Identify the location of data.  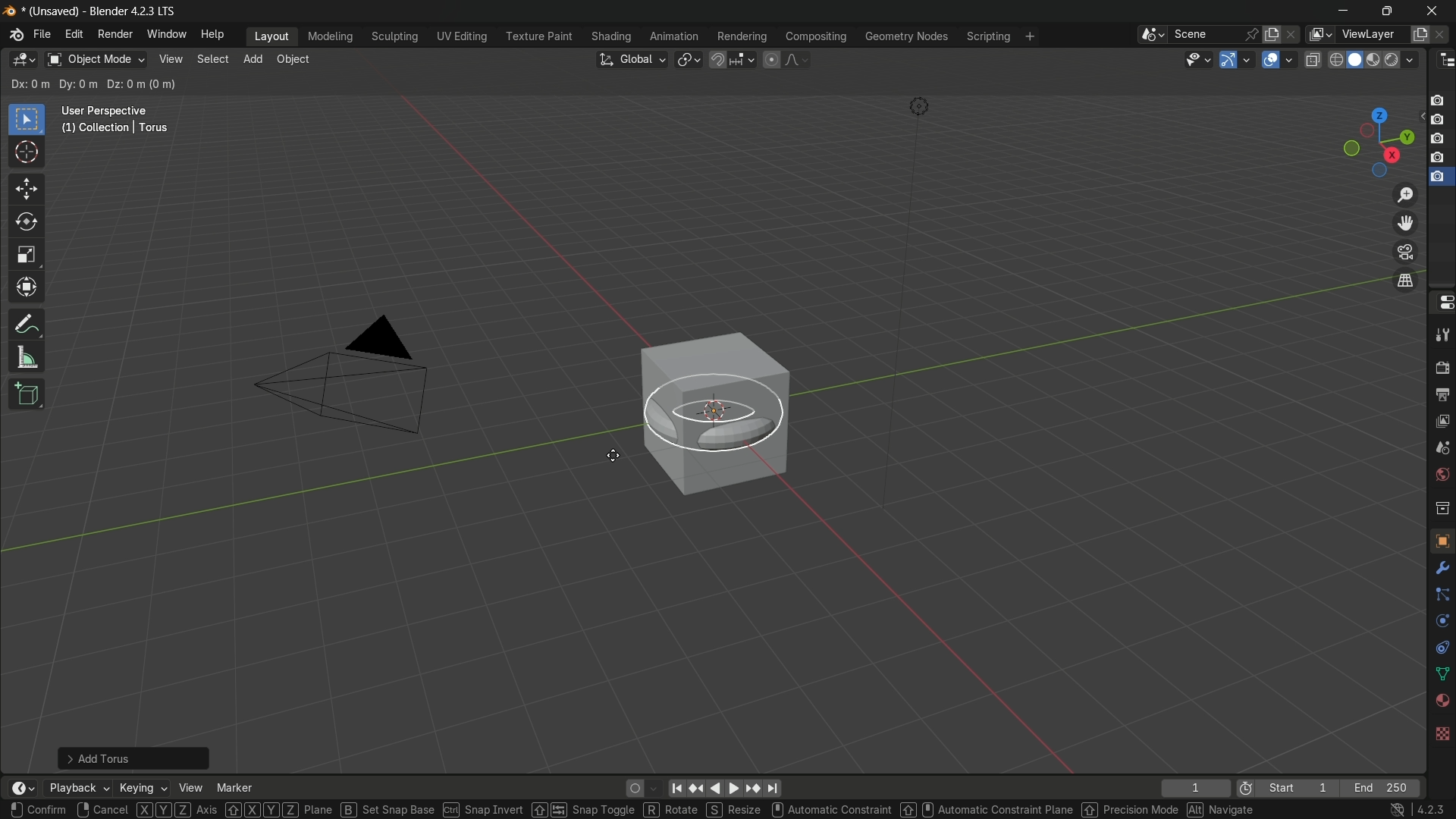
(1439, 675).